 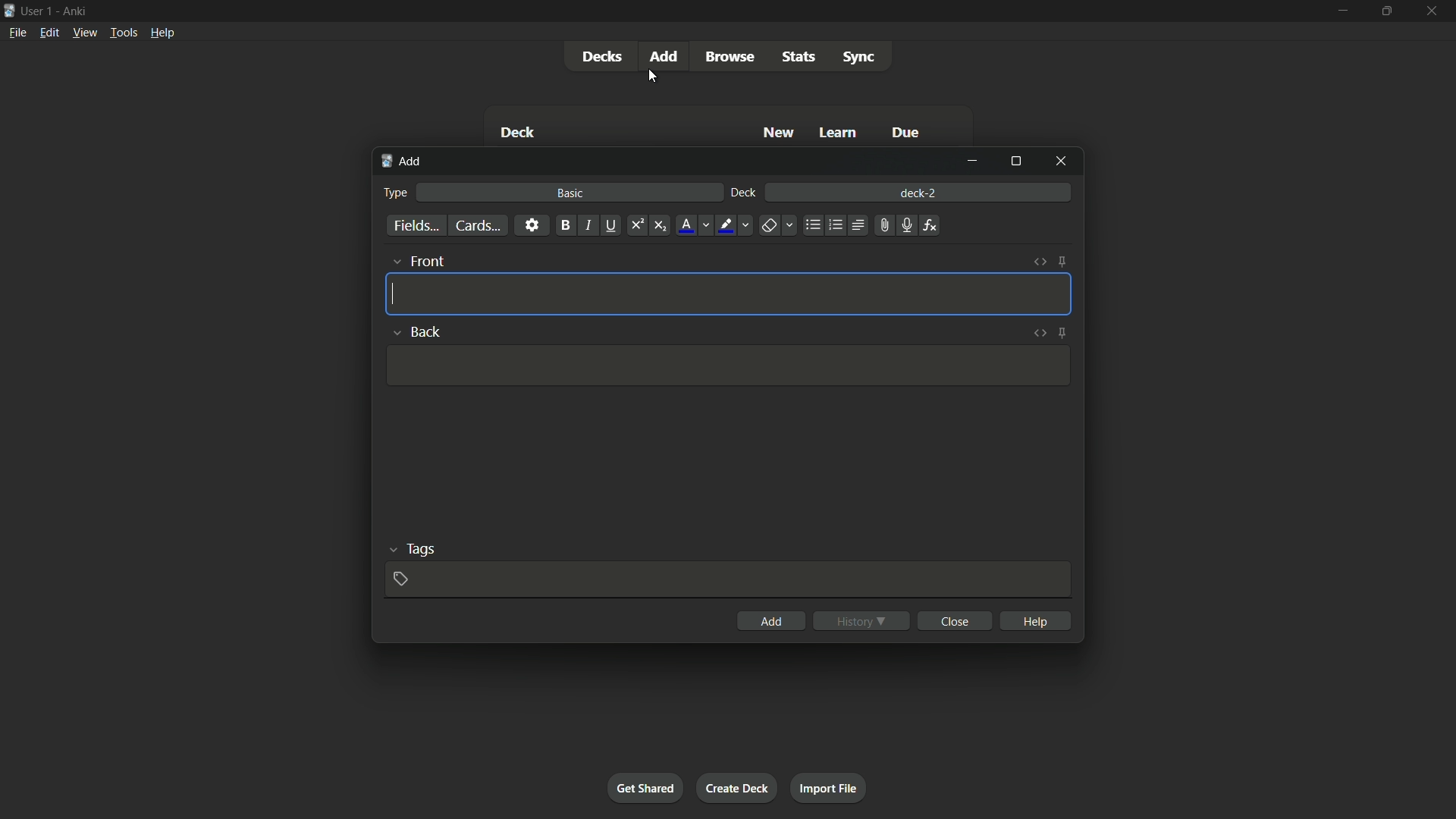 What do you see at coordinates (600, 56) in the screenshot?
I see `decks` at bounding box center [600, 56].